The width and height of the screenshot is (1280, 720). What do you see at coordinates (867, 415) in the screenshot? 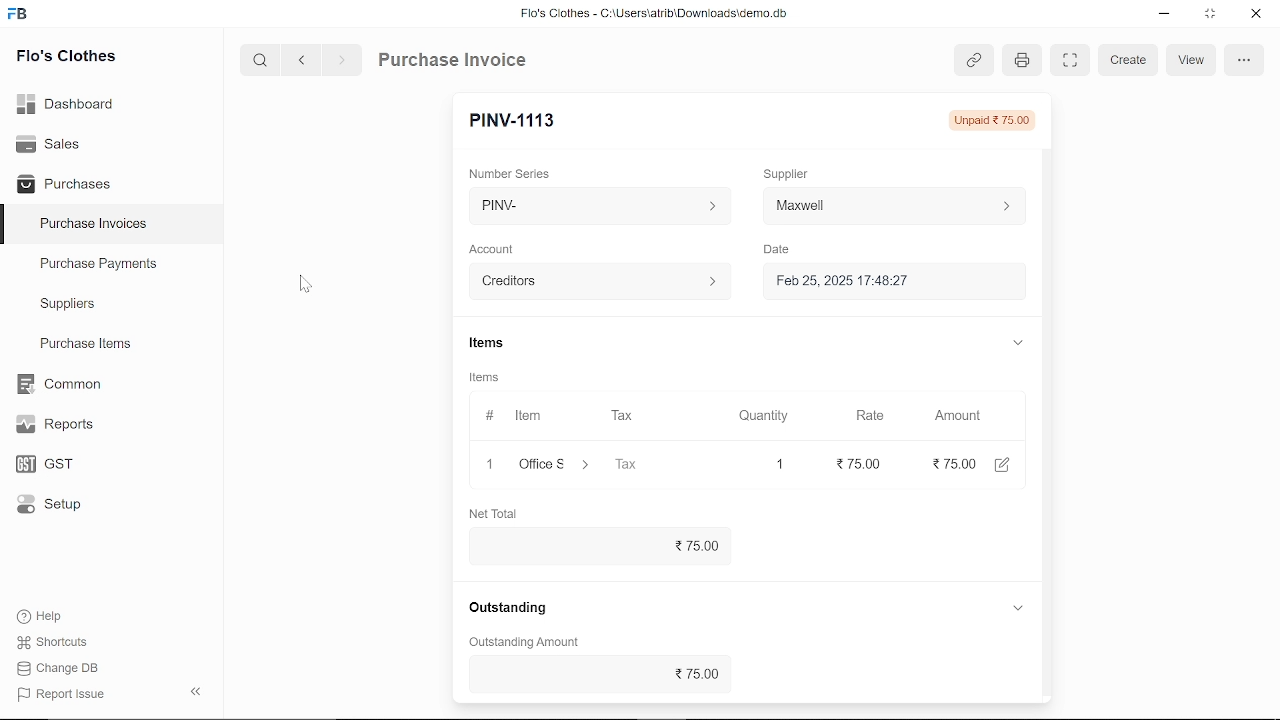
I see `Rate` at bounding box center [867, 415].